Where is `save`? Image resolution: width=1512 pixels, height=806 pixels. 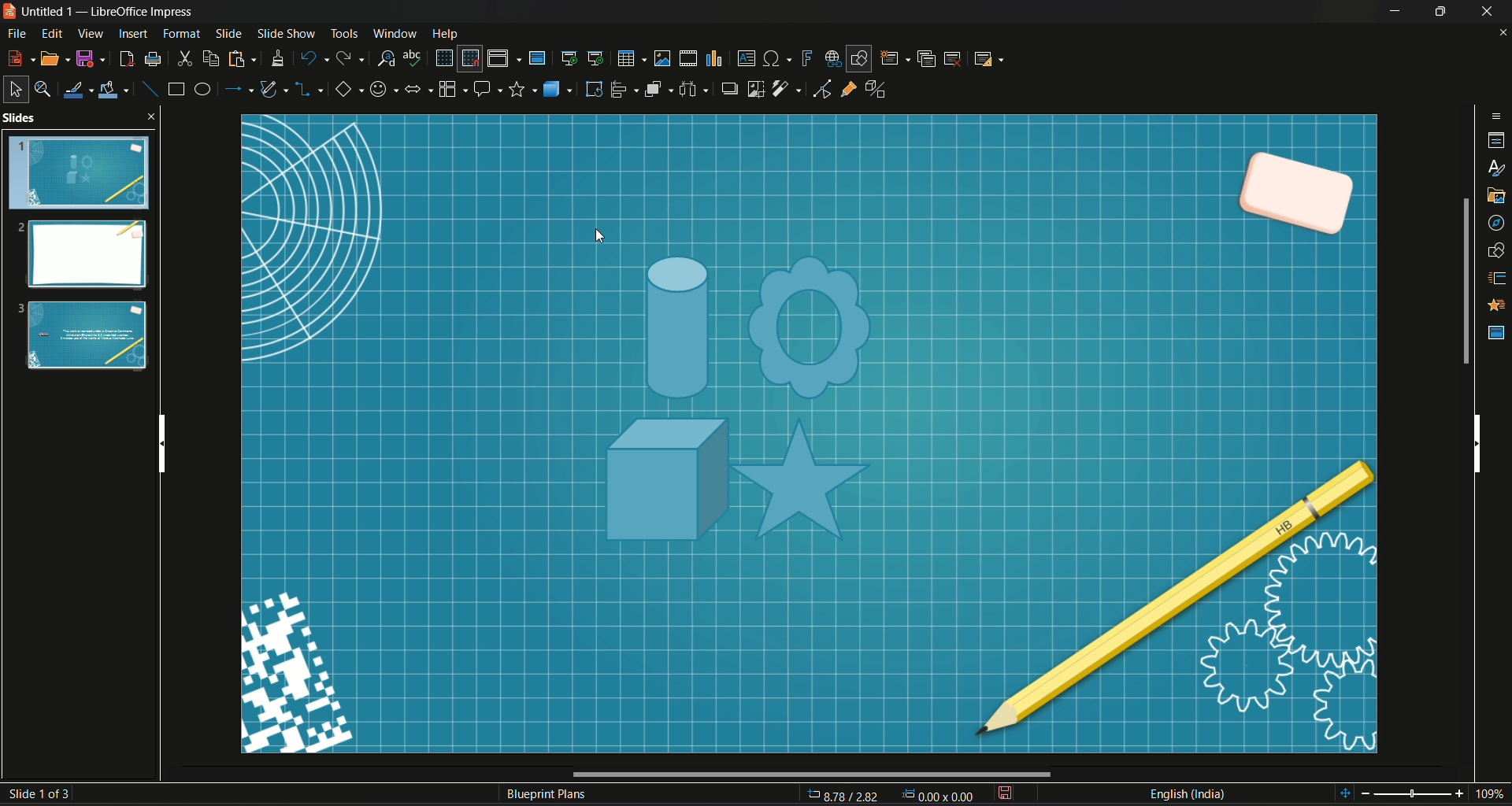
save is located at coordinates (1004, 794).